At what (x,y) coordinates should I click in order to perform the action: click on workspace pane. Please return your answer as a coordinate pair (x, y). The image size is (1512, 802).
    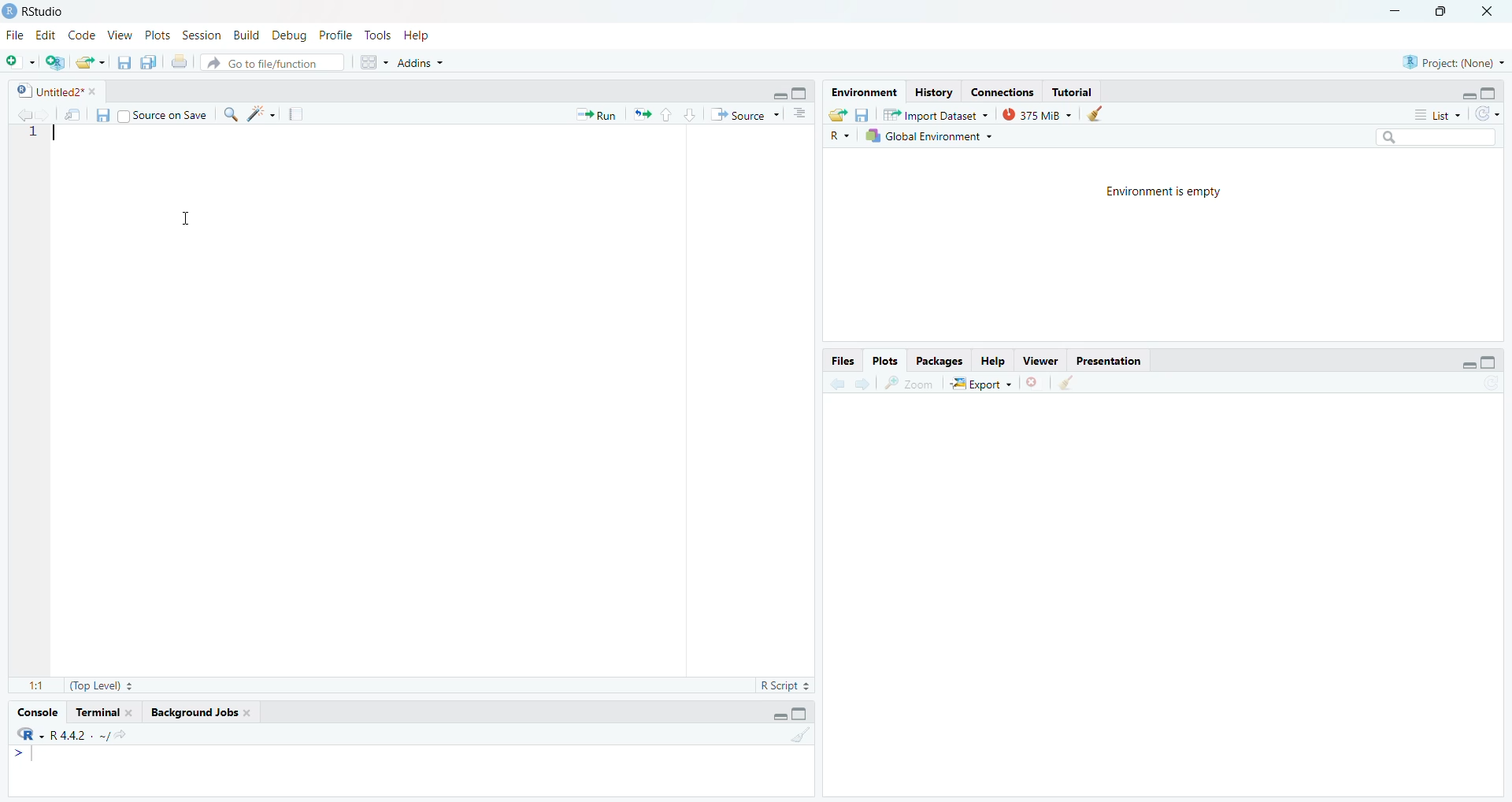
    Looking at the image, I should click on (375, 60).